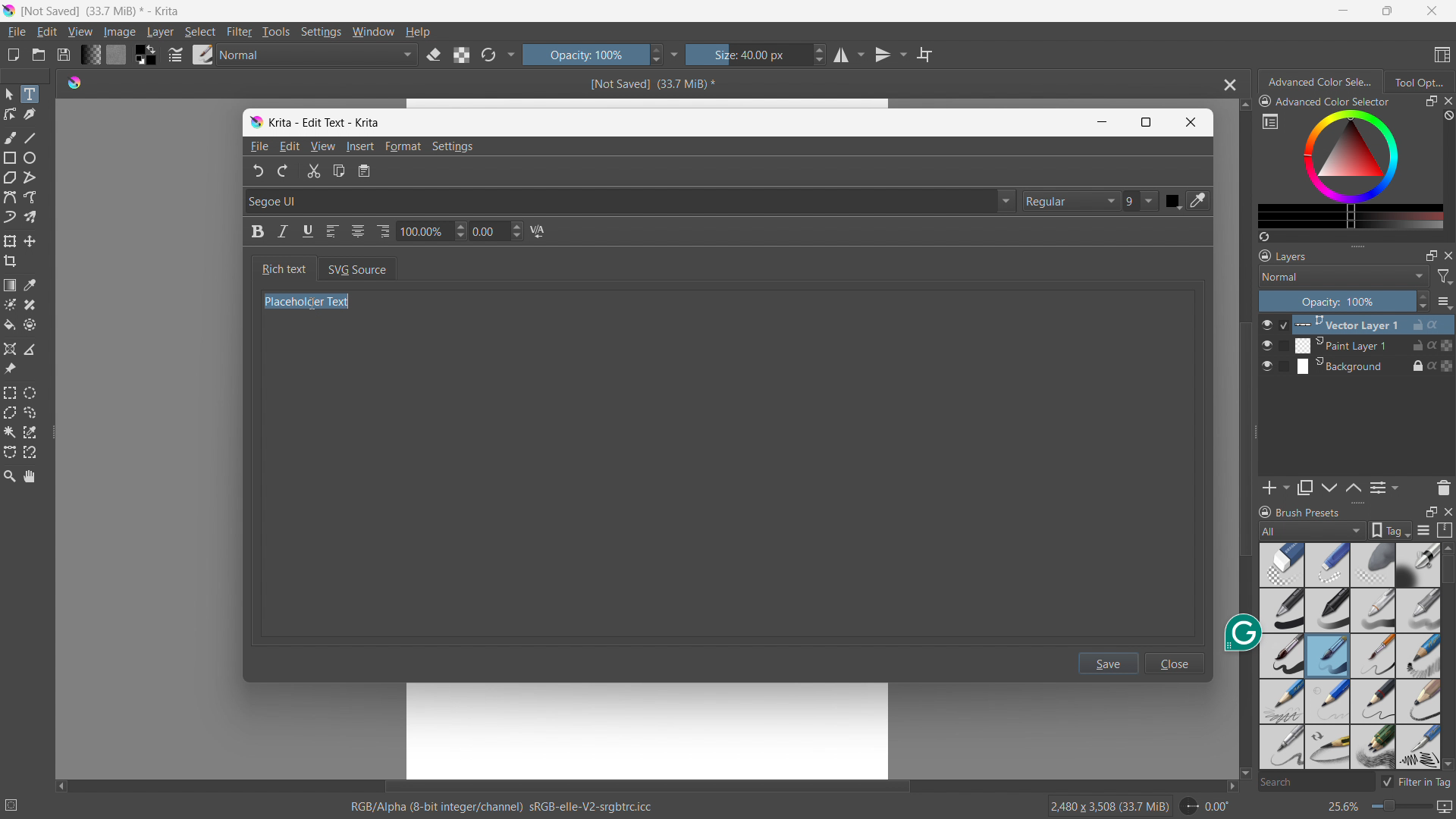 The image size is (1456, 819). What do you see at coordinates (253, 234) in the screenshot?
I see `Bold` at bounding box center [253, 234].